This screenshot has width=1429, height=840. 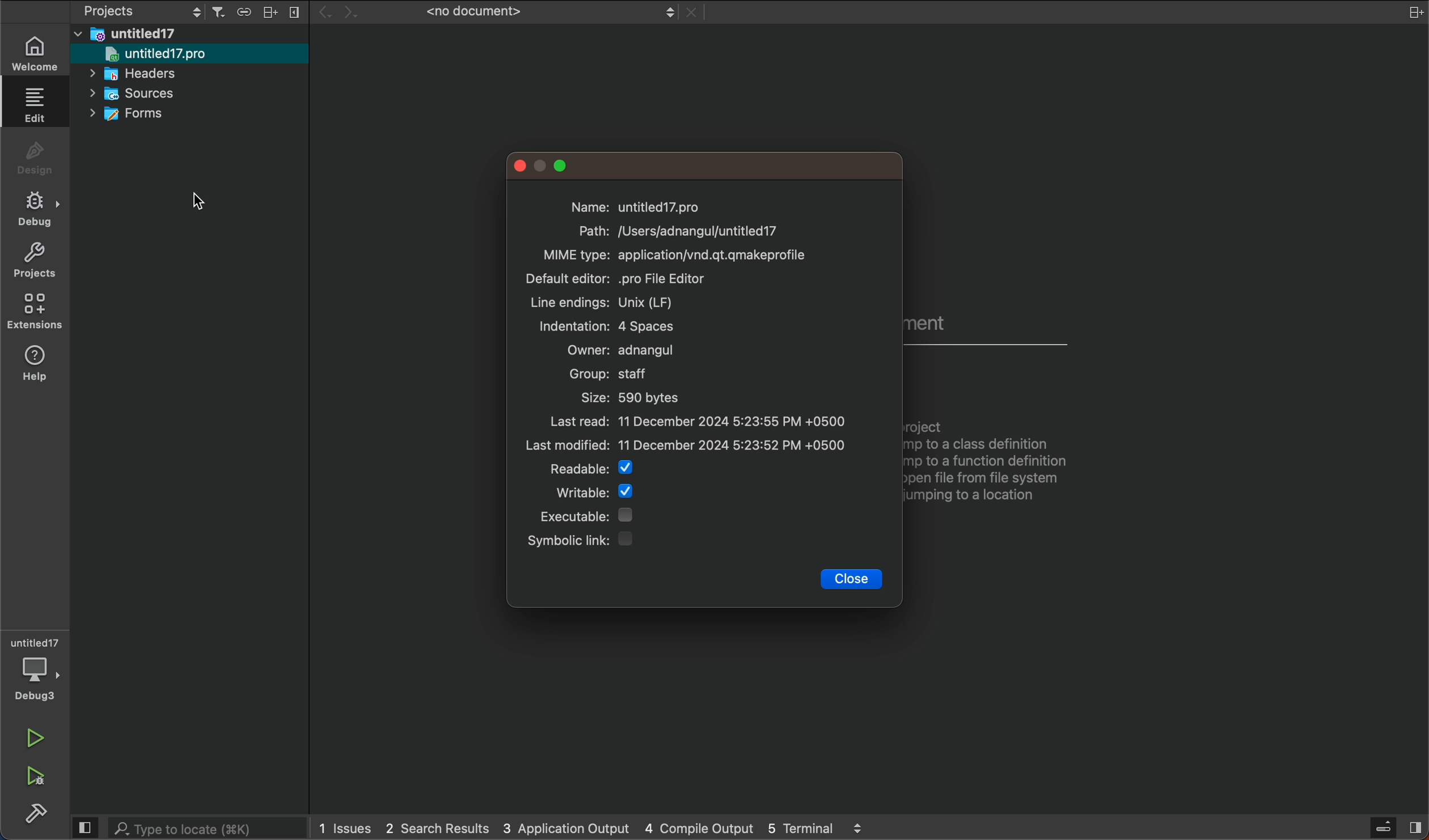 What do you see at coordinates (39, 209) in the screenshot?
I see `debug` at bounding box center [39, 209].